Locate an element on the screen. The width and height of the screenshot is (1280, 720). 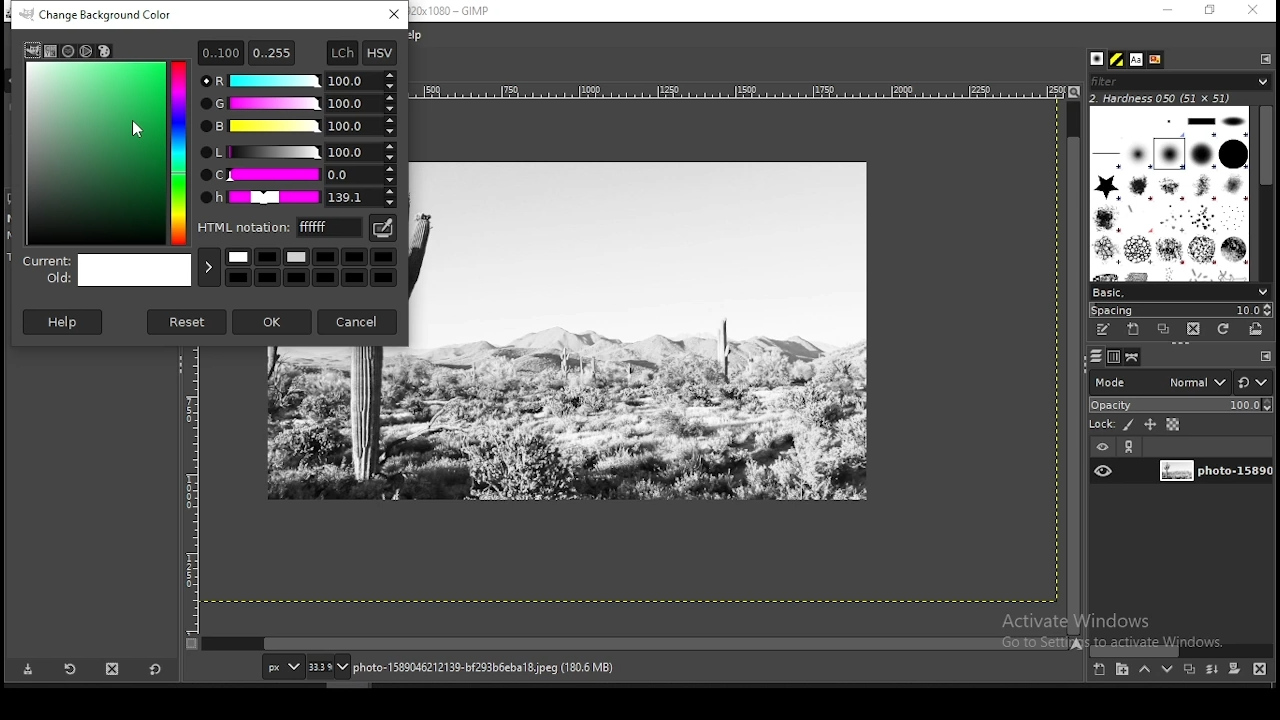
html notation is located at coordinates (281, 226).